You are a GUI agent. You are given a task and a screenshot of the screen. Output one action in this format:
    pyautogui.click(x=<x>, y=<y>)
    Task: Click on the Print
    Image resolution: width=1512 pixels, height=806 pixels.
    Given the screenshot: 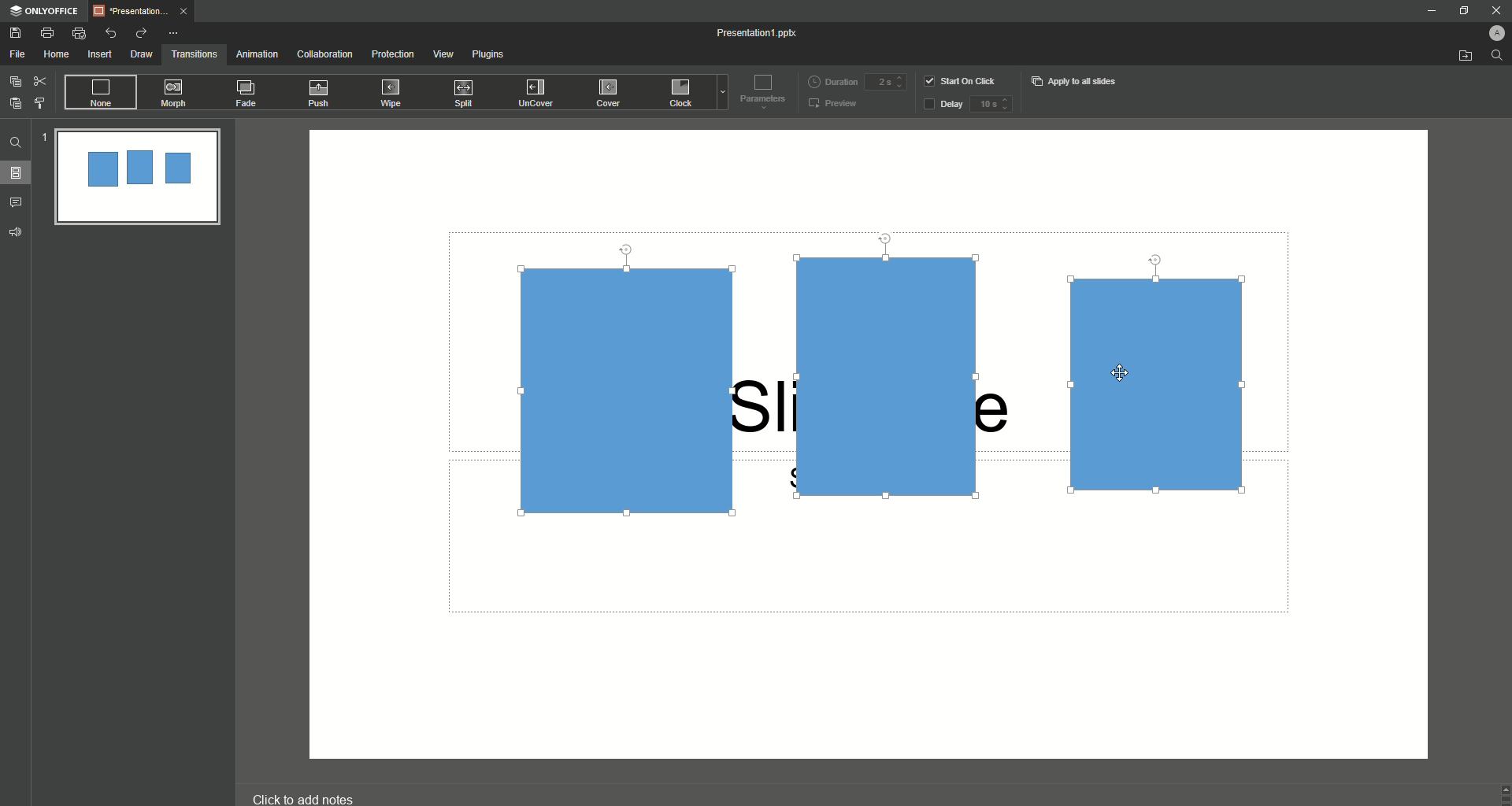 What is the action you would take?
    pyautogui.click(x=47, y=32)
    